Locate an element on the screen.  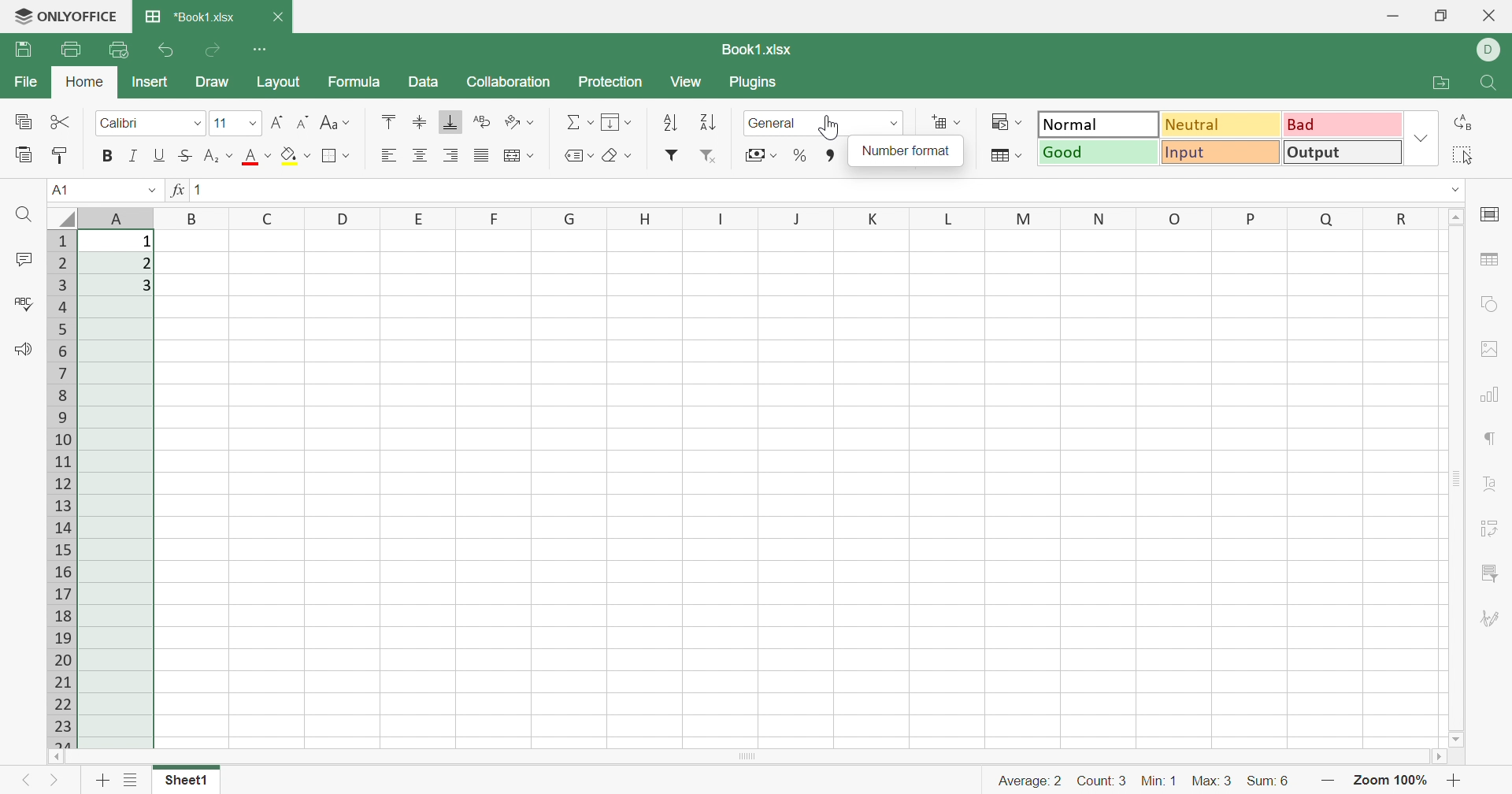
Summation is located at coordinates (579, 121).